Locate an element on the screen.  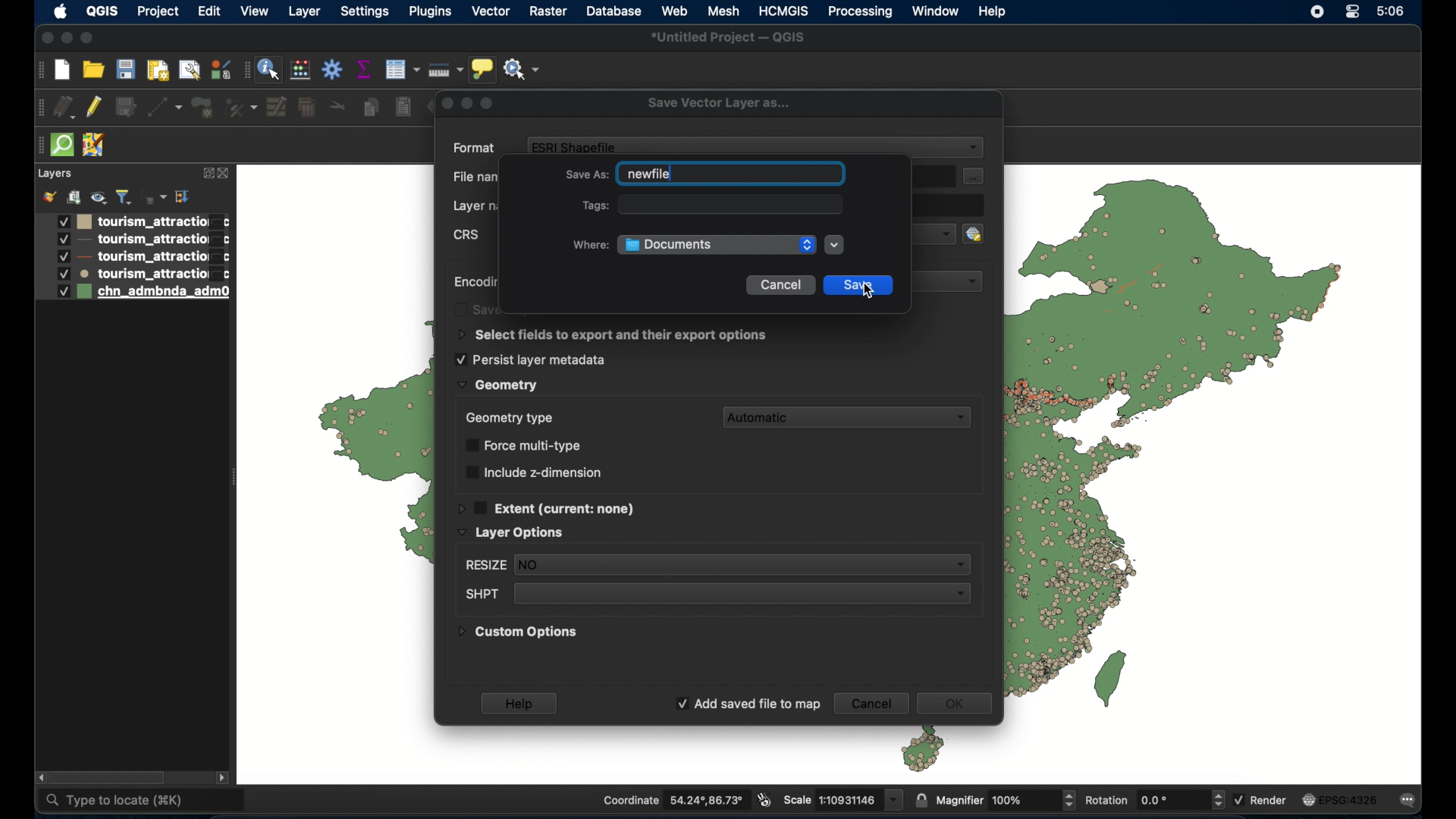
automatic dropdown is located at coordinates (851, 417).